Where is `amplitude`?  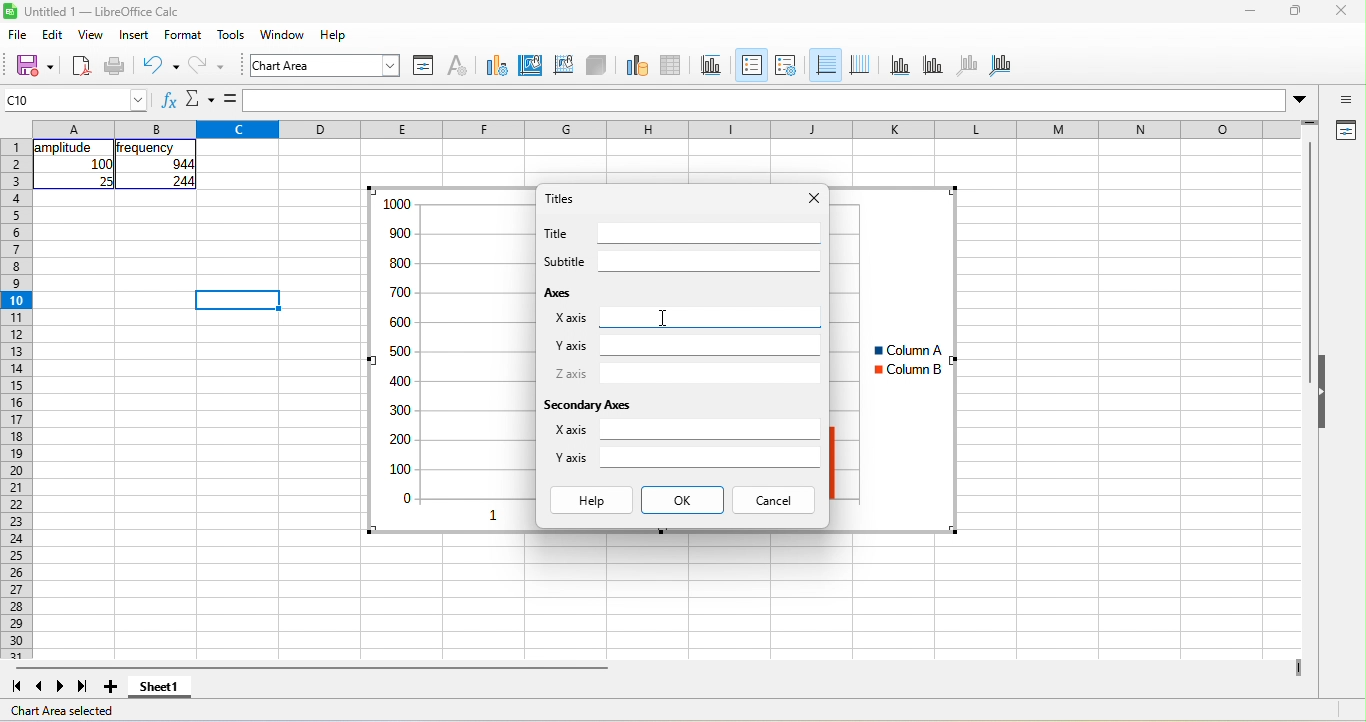
amplitude is located at coordinates (66, 148).